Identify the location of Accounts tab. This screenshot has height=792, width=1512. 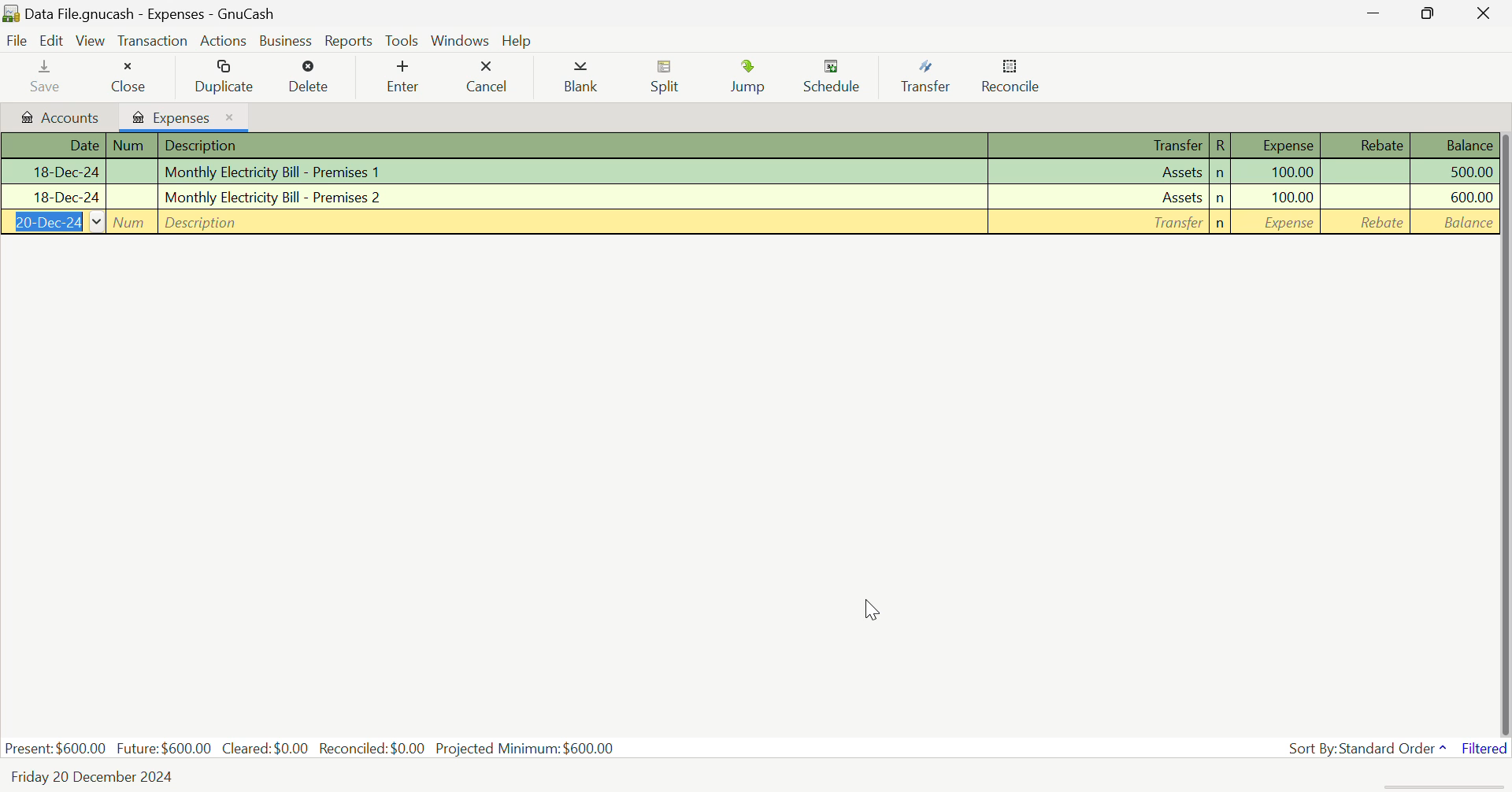
(60, 116).